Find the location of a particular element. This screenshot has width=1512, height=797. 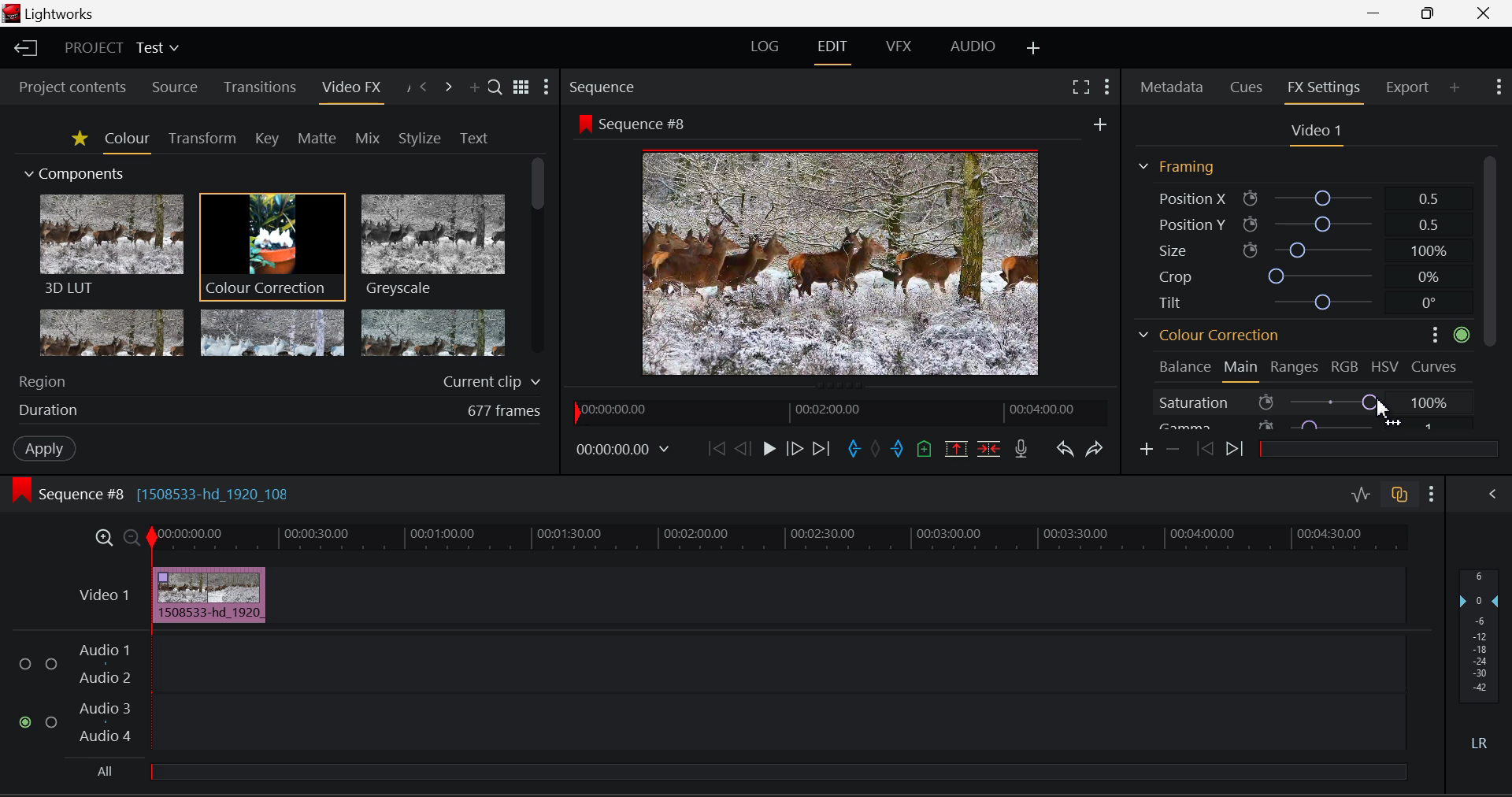

Source is located at coordinates (176, 87).